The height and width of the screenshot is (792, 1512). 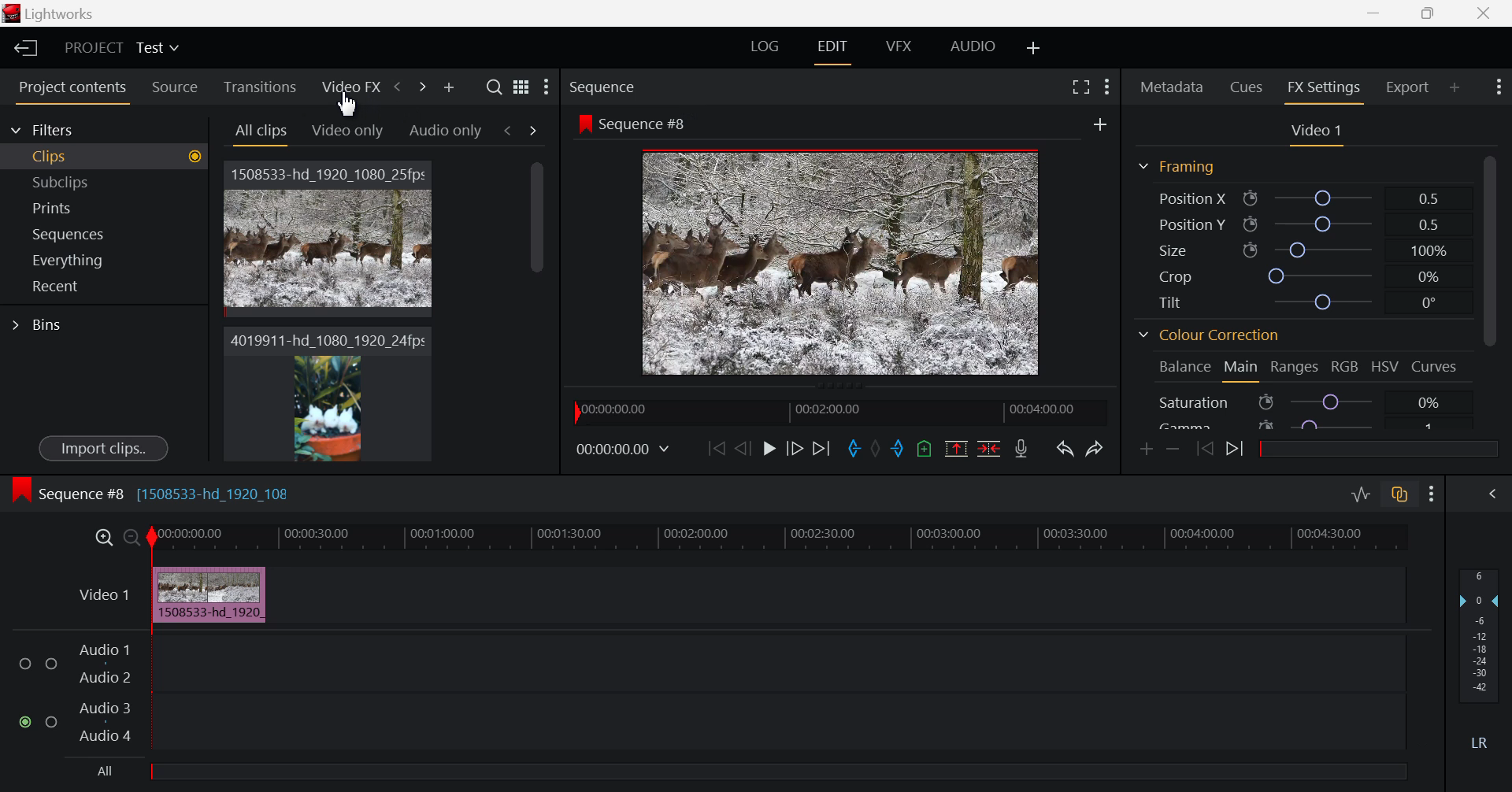 I want to click on Toggle Audio Levels Editing, so click(x=1362, y=494).